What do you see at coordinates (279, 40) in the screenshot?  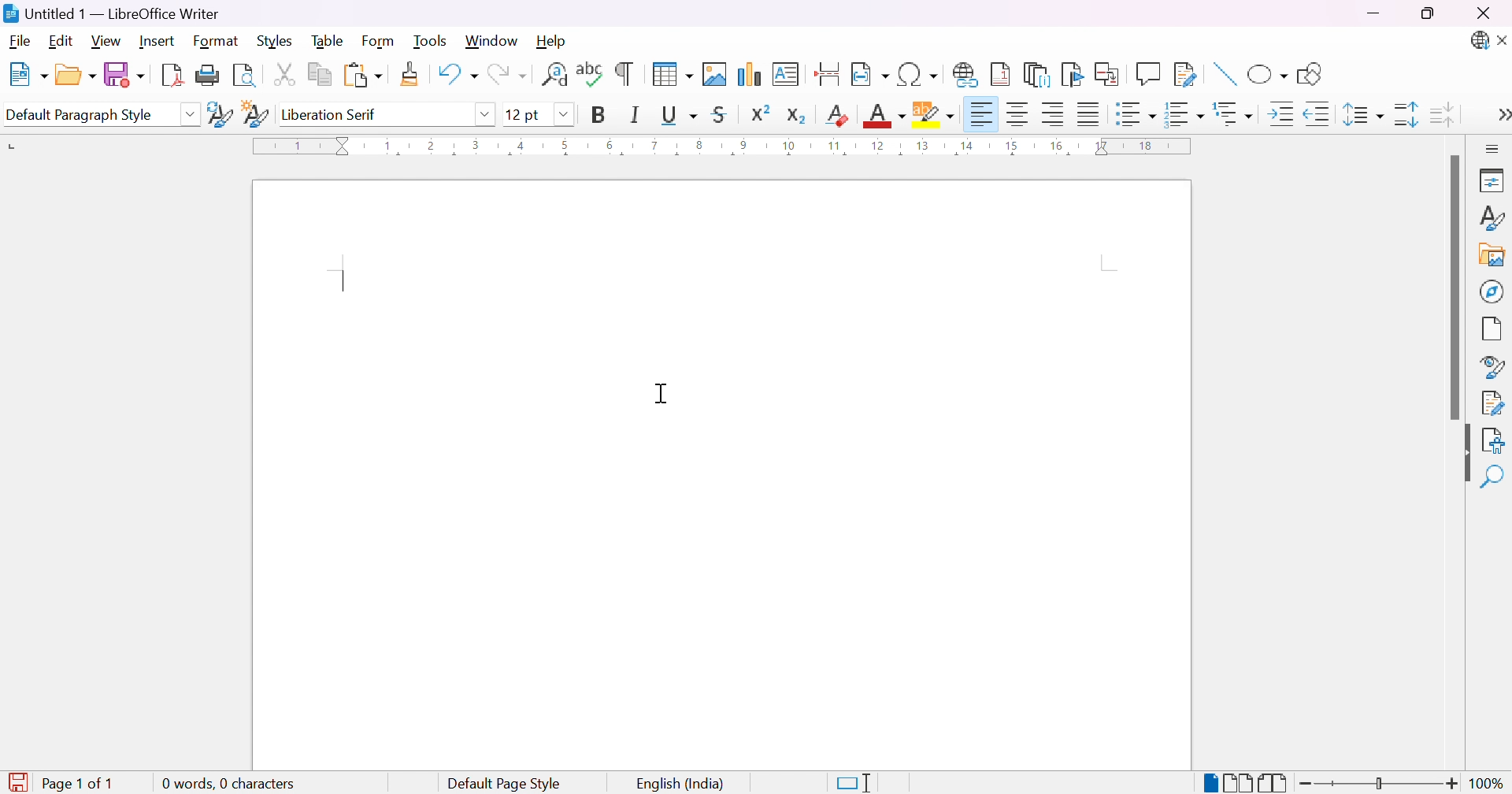 I see `Styles` at bounding box center [279, 40].